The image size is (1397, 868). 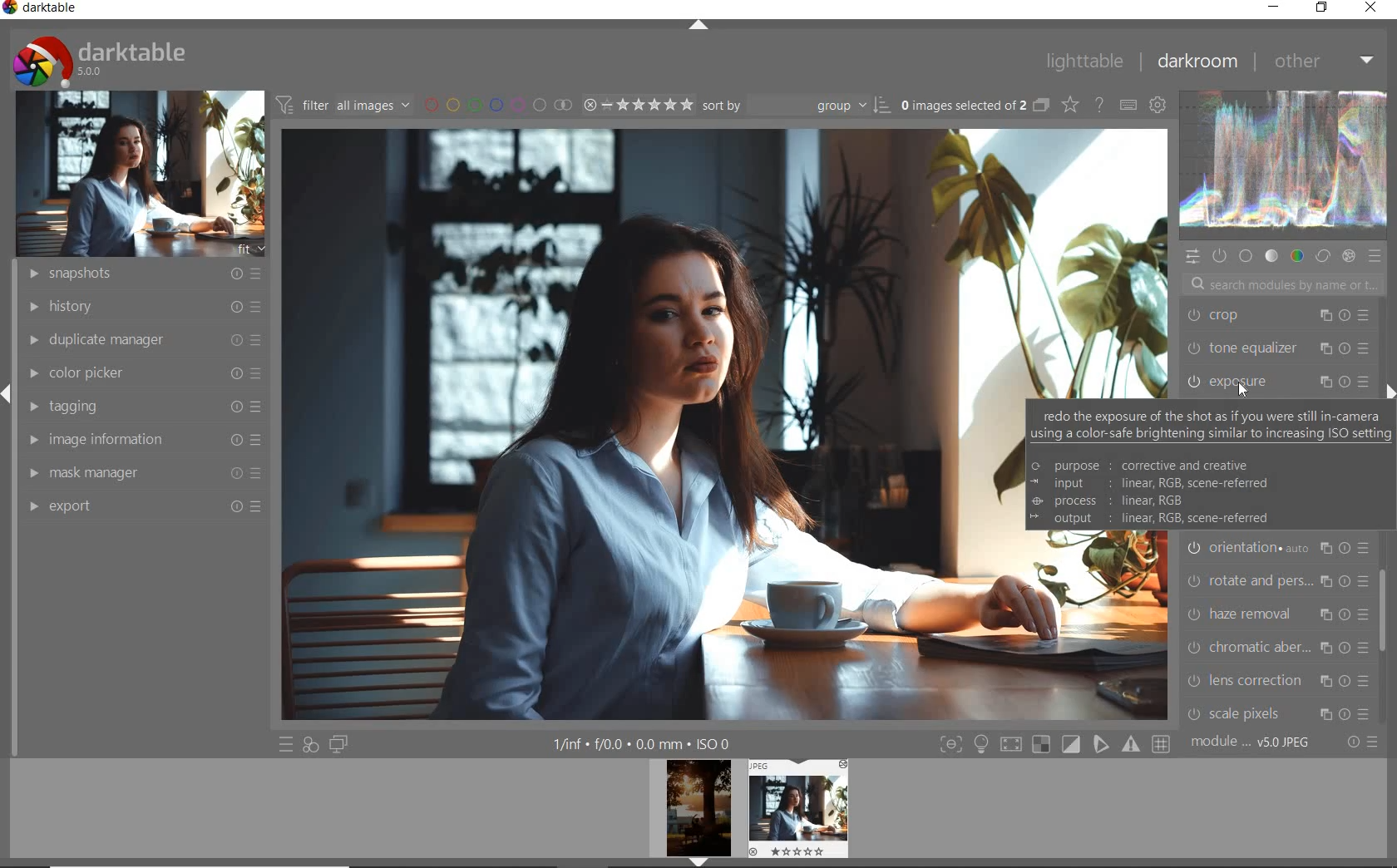 What do you see at coordinates (793, 106) in the screenshot?
I see `SORT` at bounding box center [793, 106].